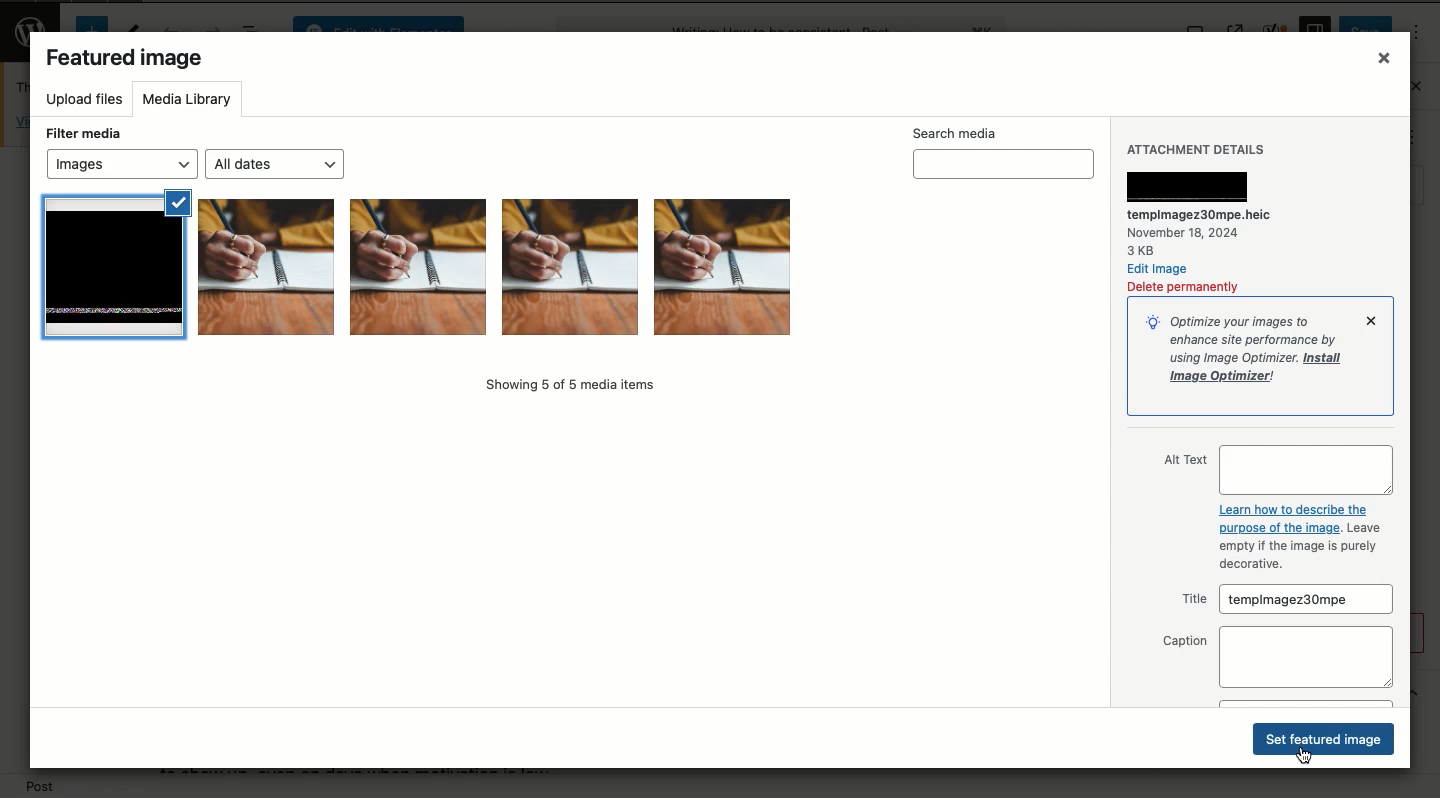 The width and height of the screenshot is (1440, 798). I want to click on All dates, so click(274, 163).